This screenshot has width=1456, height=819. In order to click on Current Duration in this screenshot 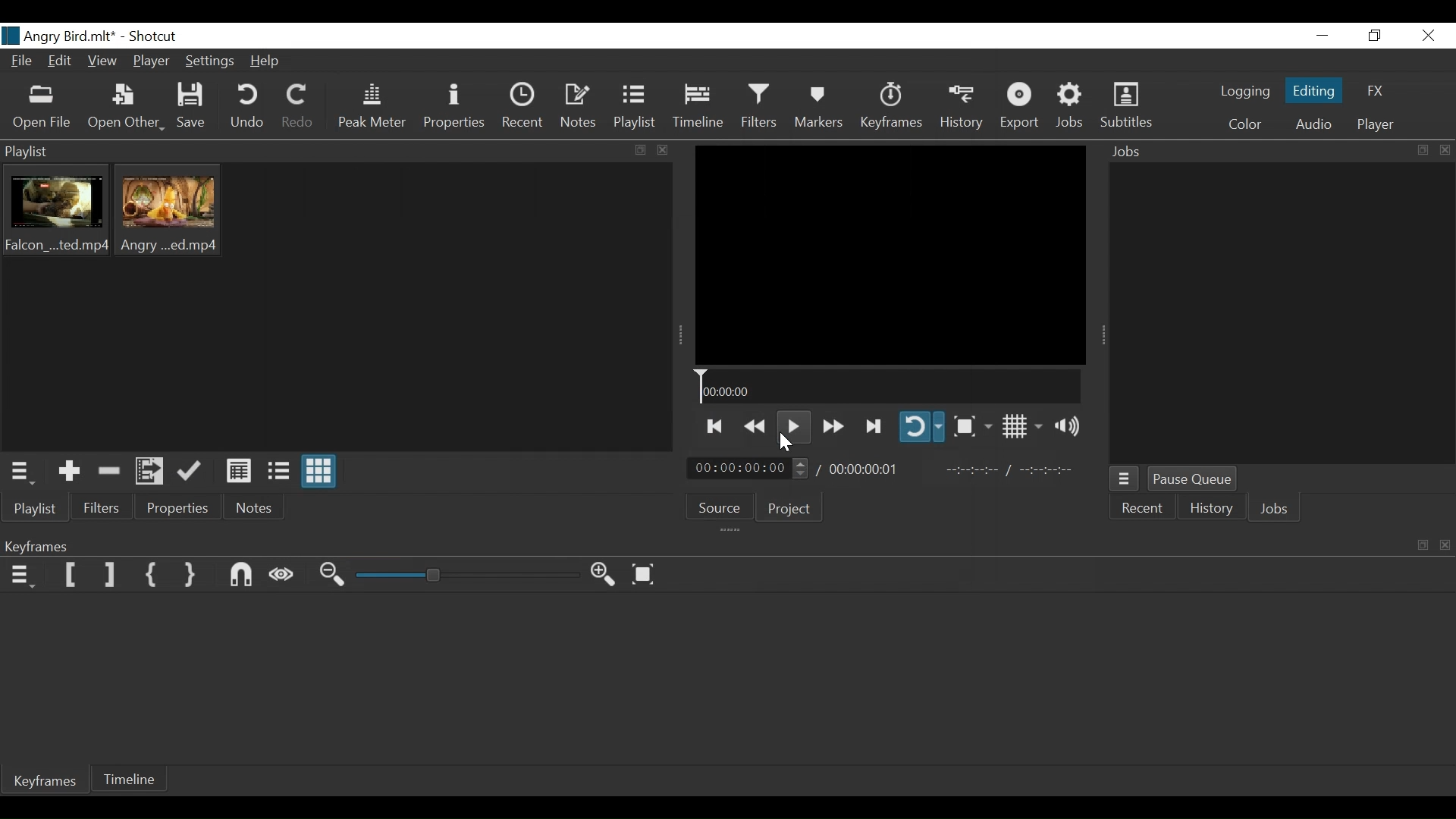, I will do `click(747, 467)`.